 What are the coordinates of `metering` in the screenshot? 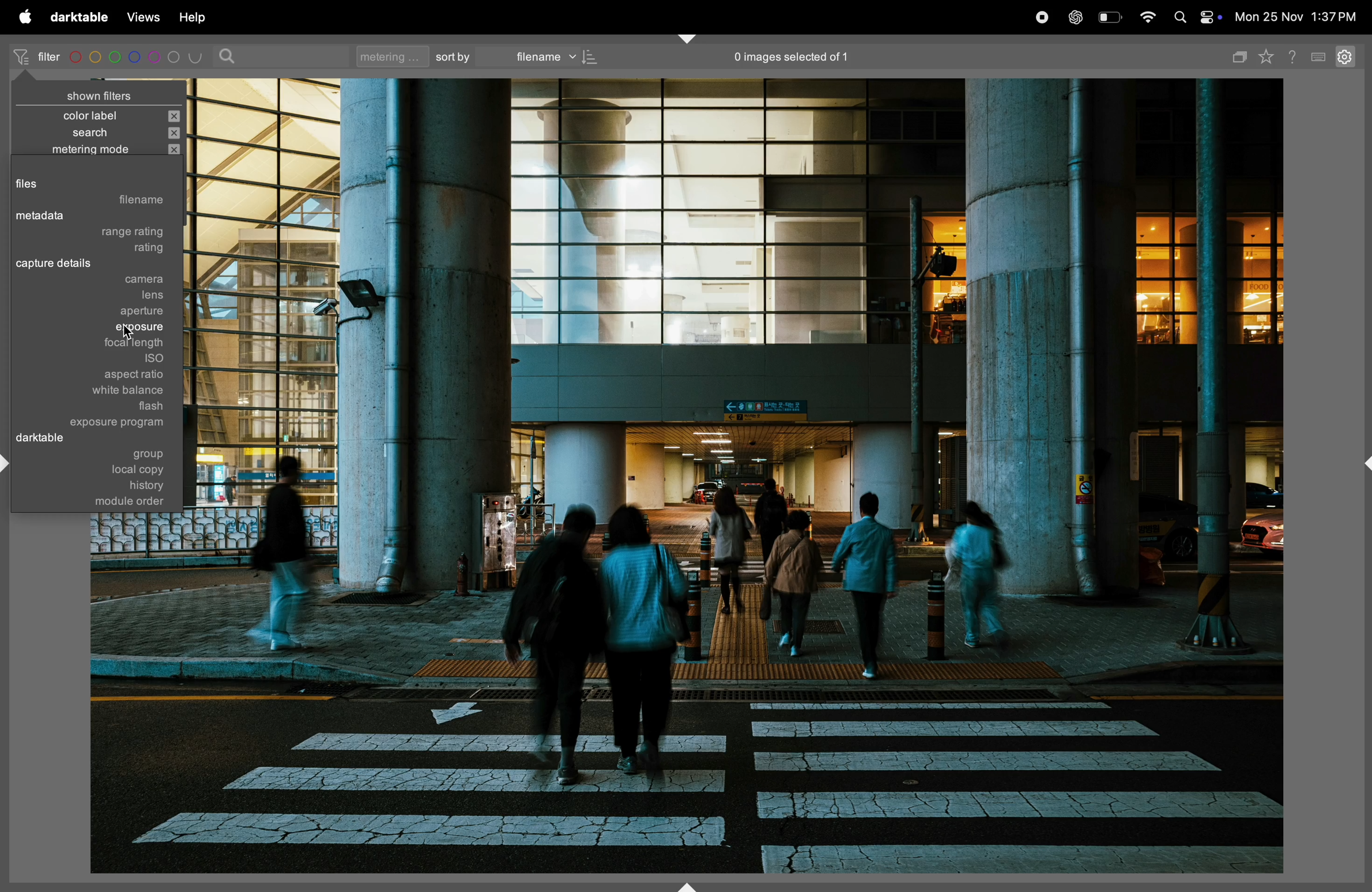 It's located at (389, 56).